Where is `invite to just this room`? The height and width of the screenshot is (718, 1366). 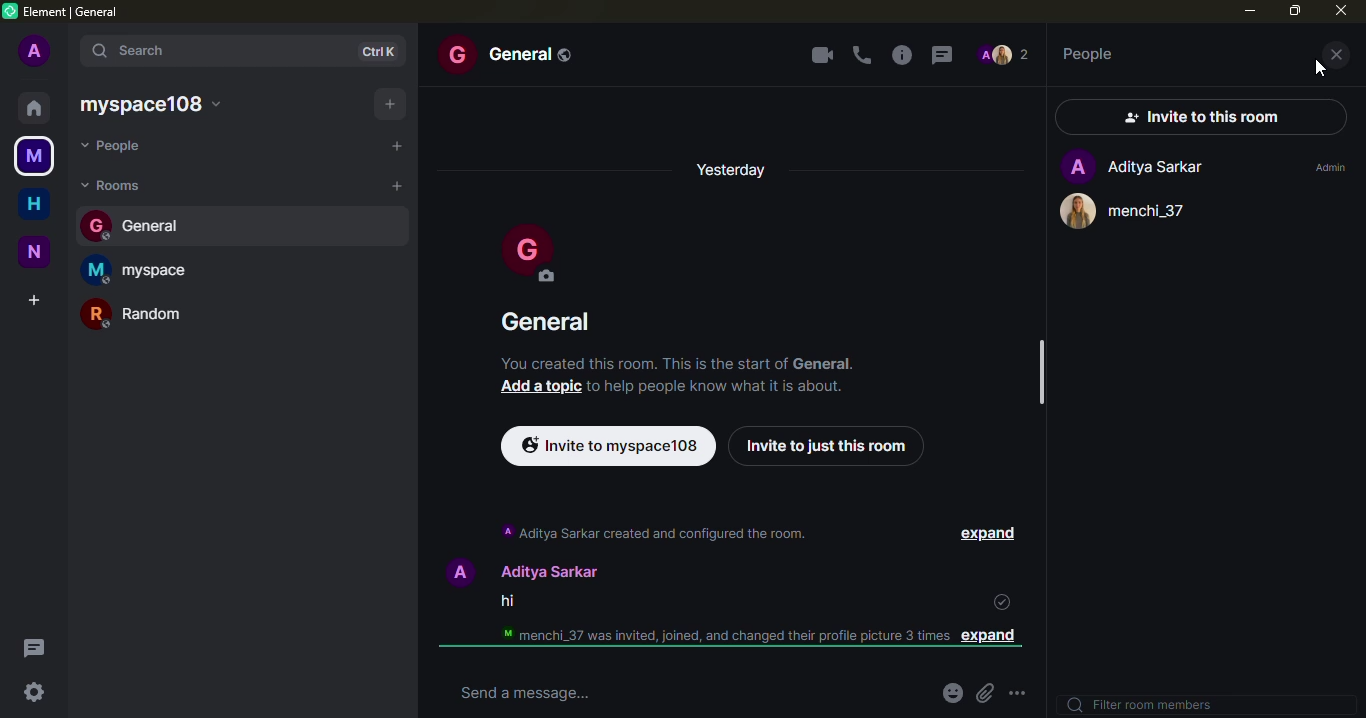 invite to just this room is located at coordinates (824, 446).